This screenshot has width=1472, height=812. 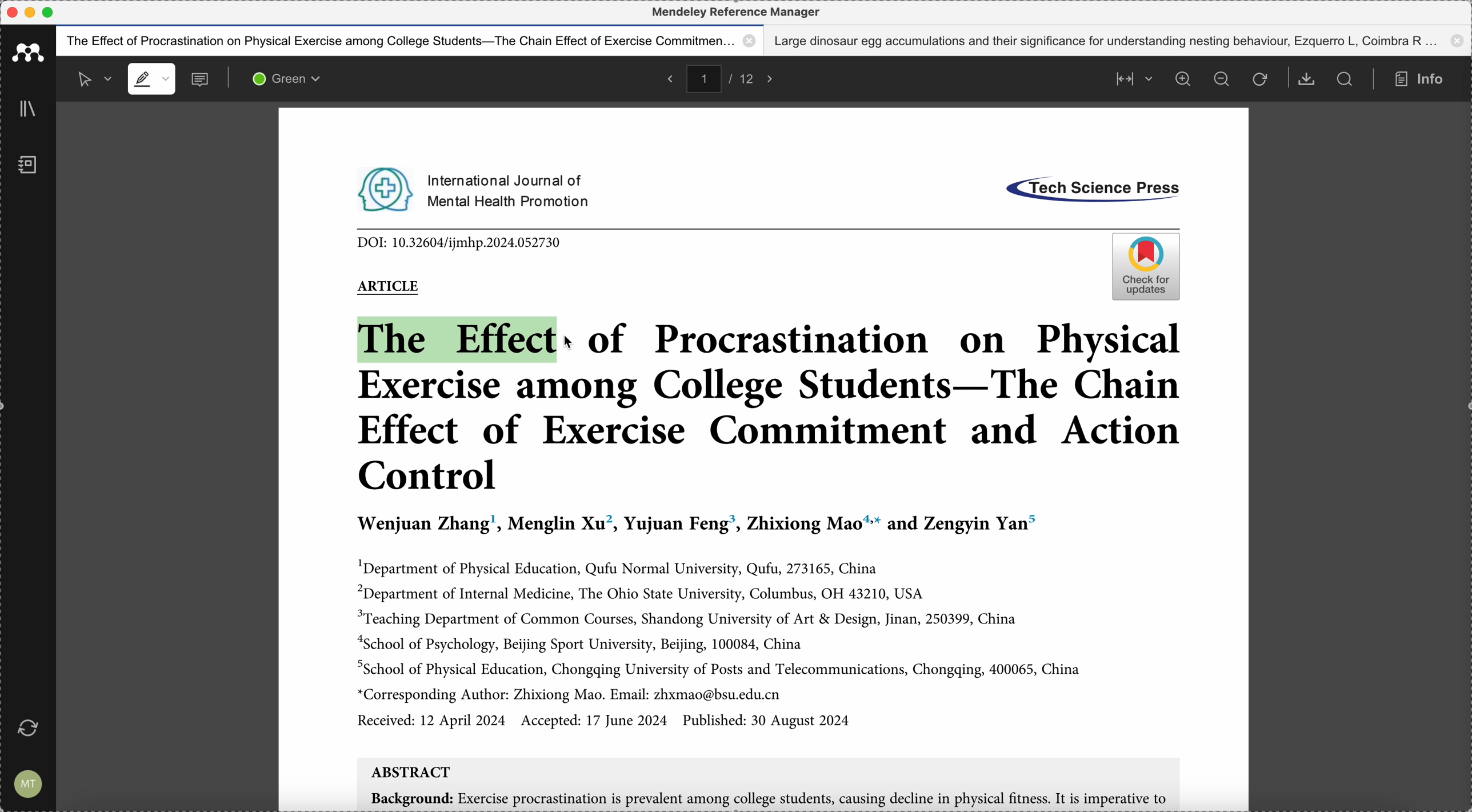 I want to click on selected mode, so click(x=89, y=78).